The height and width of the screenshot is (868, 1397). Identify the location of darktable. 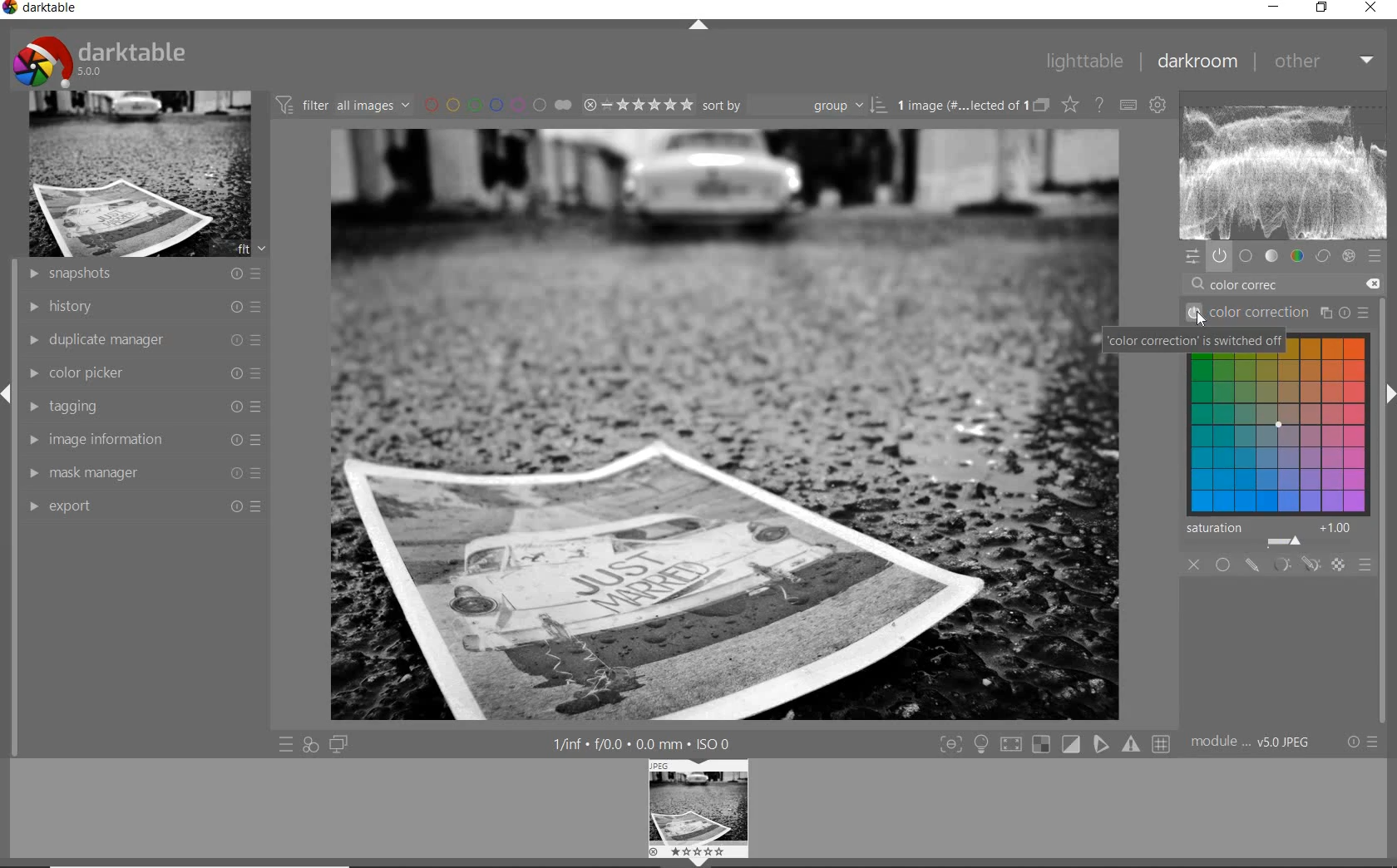
(43, 8).